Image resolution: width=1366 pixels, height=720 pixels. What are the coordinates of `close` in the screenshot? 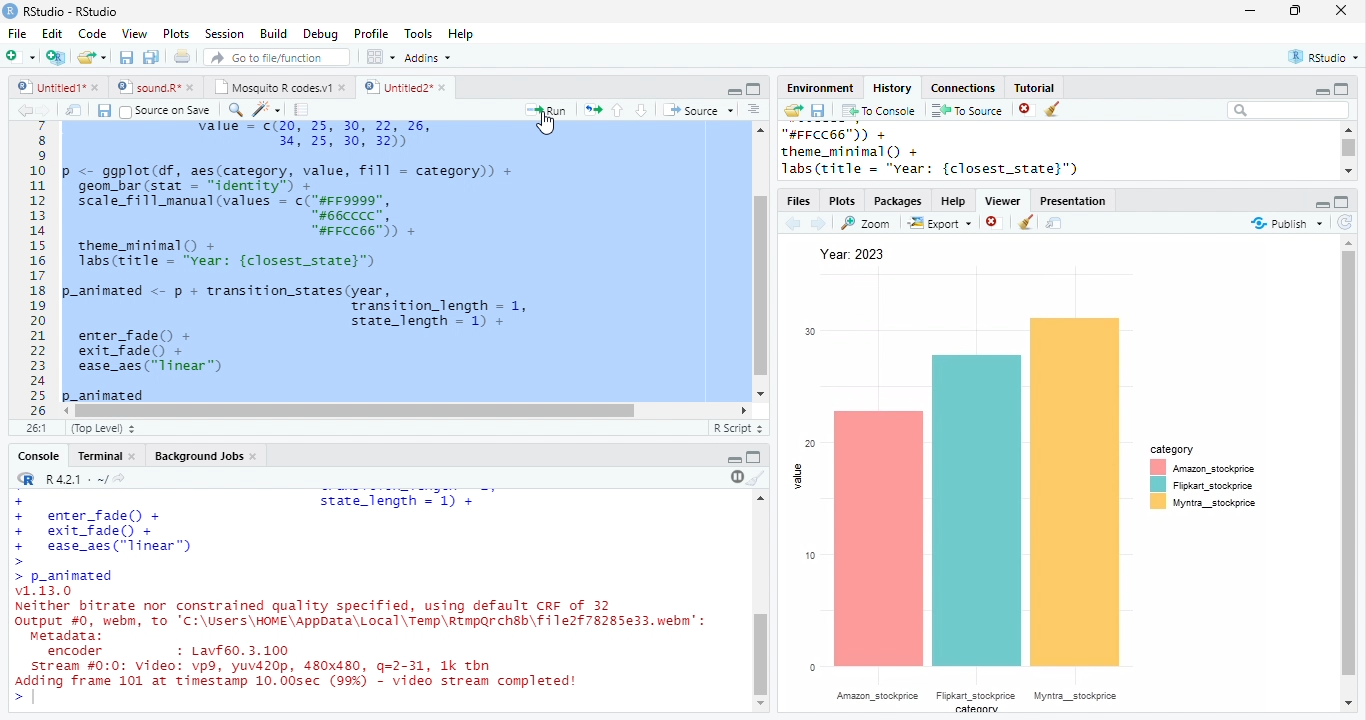 It's located at (344, 89).